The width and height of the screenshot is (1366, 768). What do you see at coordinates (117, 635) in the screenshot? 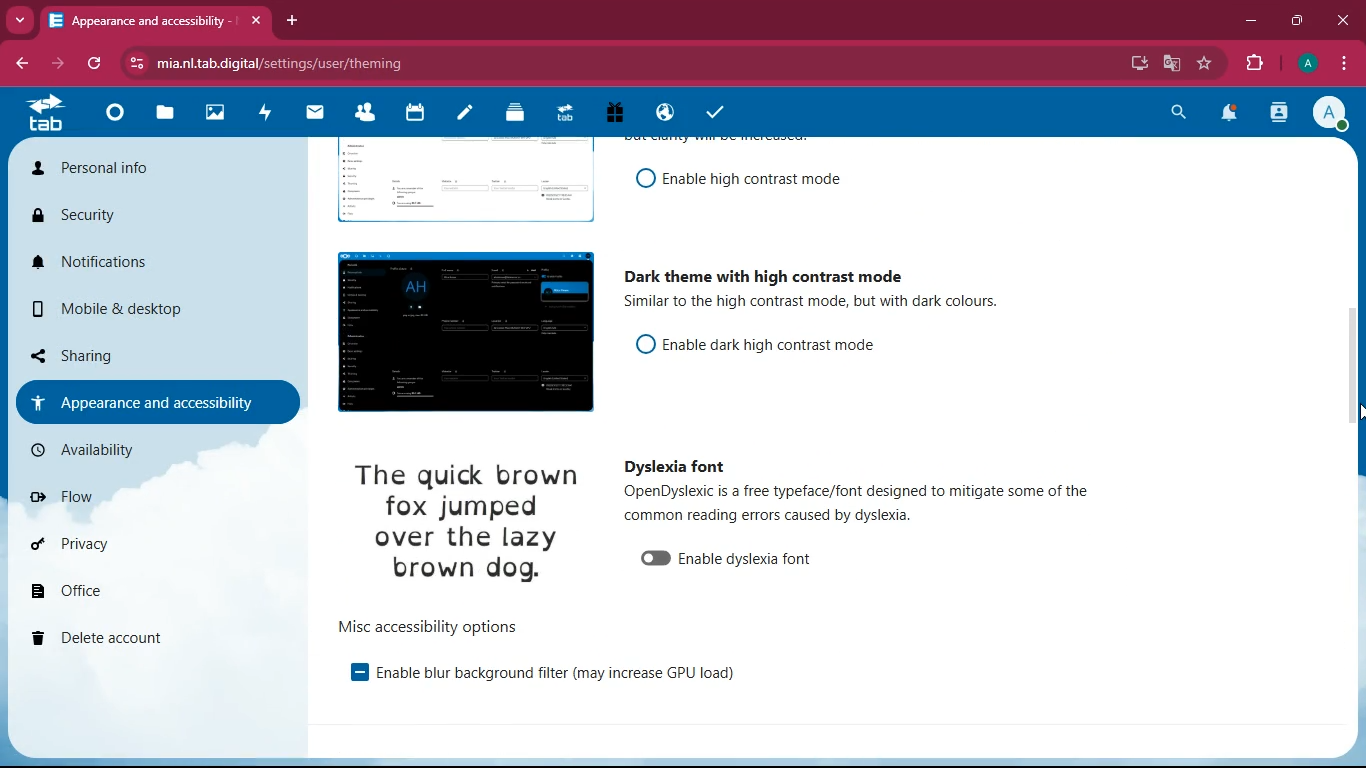
I see `delete` at bounding box center [117, 635].